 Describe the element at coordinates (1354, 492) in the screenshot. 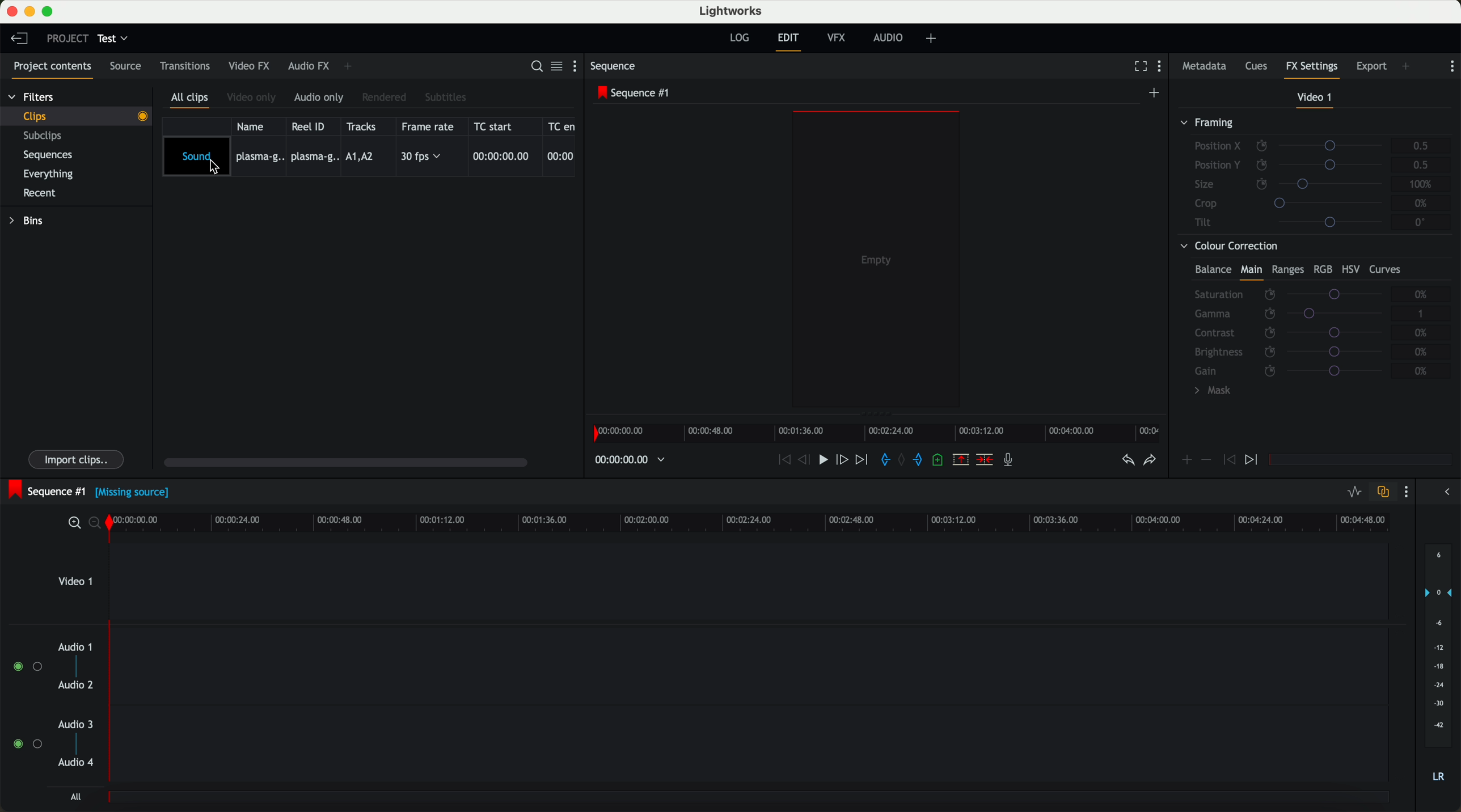

I see `toggle audio levels editing` at that location.